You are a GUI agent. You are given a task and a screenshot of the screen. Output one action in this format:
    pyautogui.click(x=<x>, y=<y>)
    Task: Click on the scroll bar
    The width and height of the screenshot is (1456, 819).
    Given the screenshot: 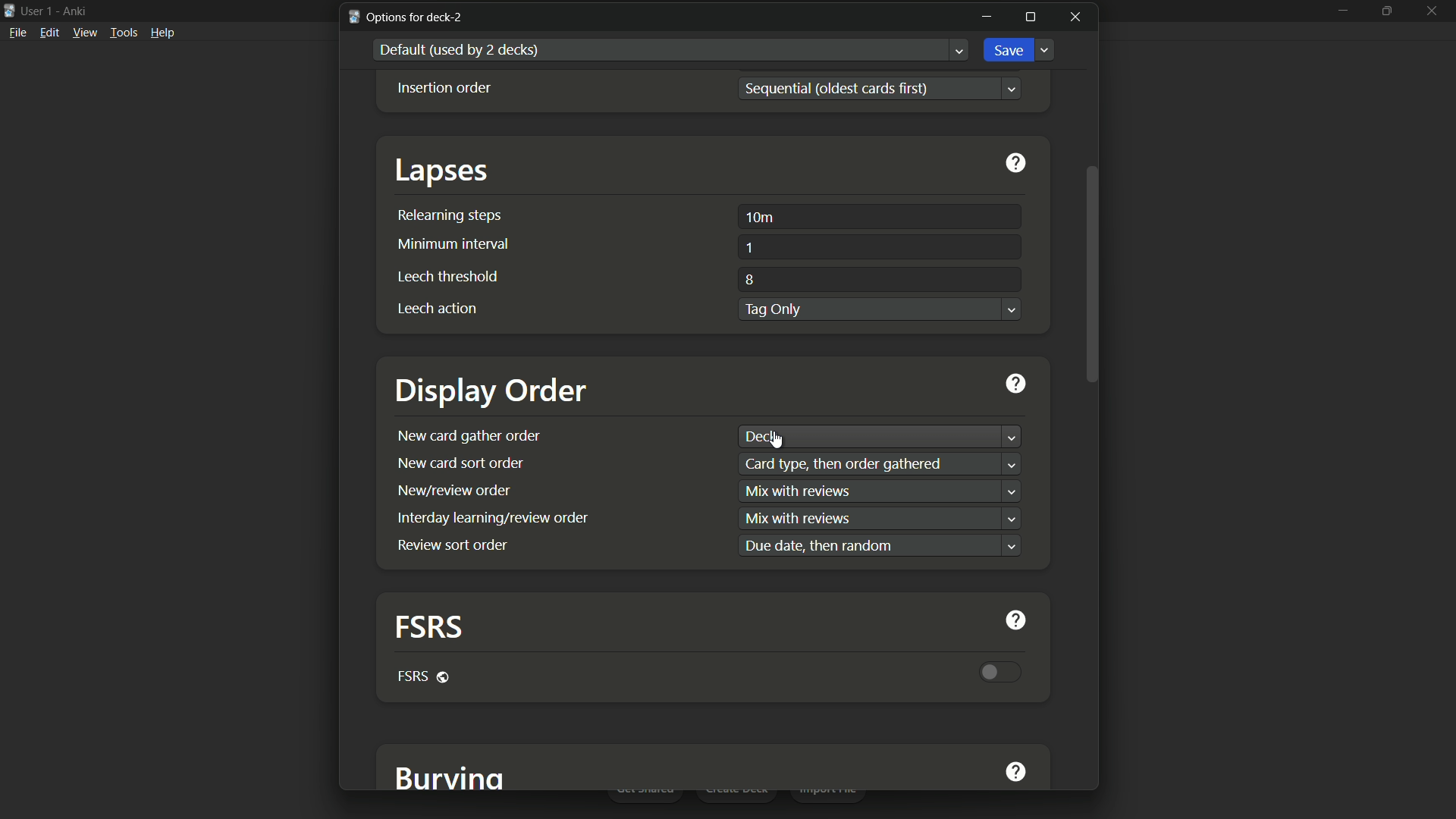 What is the action you would take?
    pyautogui.click(x=1090, y=275)
    